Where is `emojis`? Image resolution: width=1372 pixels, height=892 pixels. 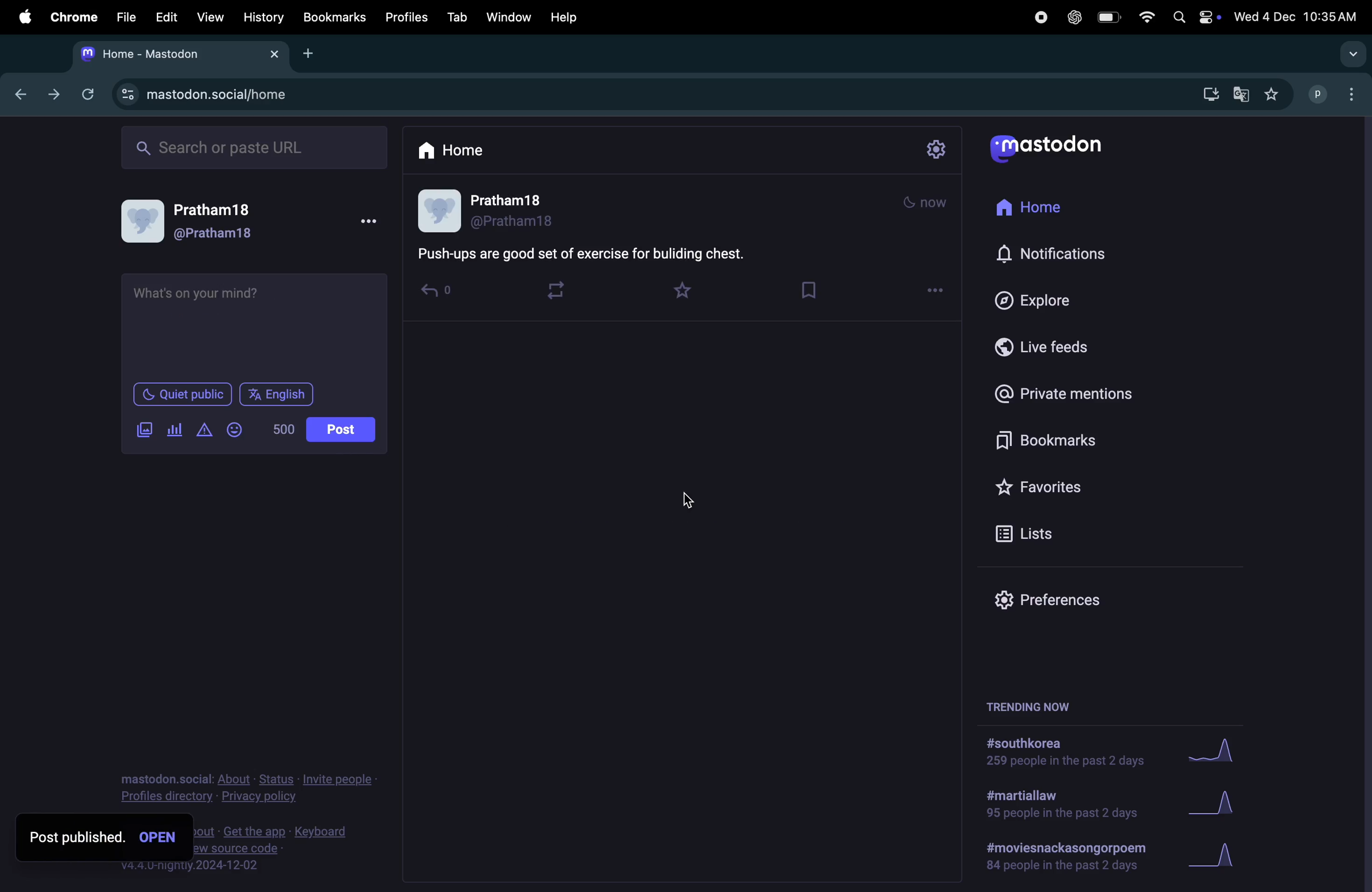
emojis is located at coordinates (237, 429).